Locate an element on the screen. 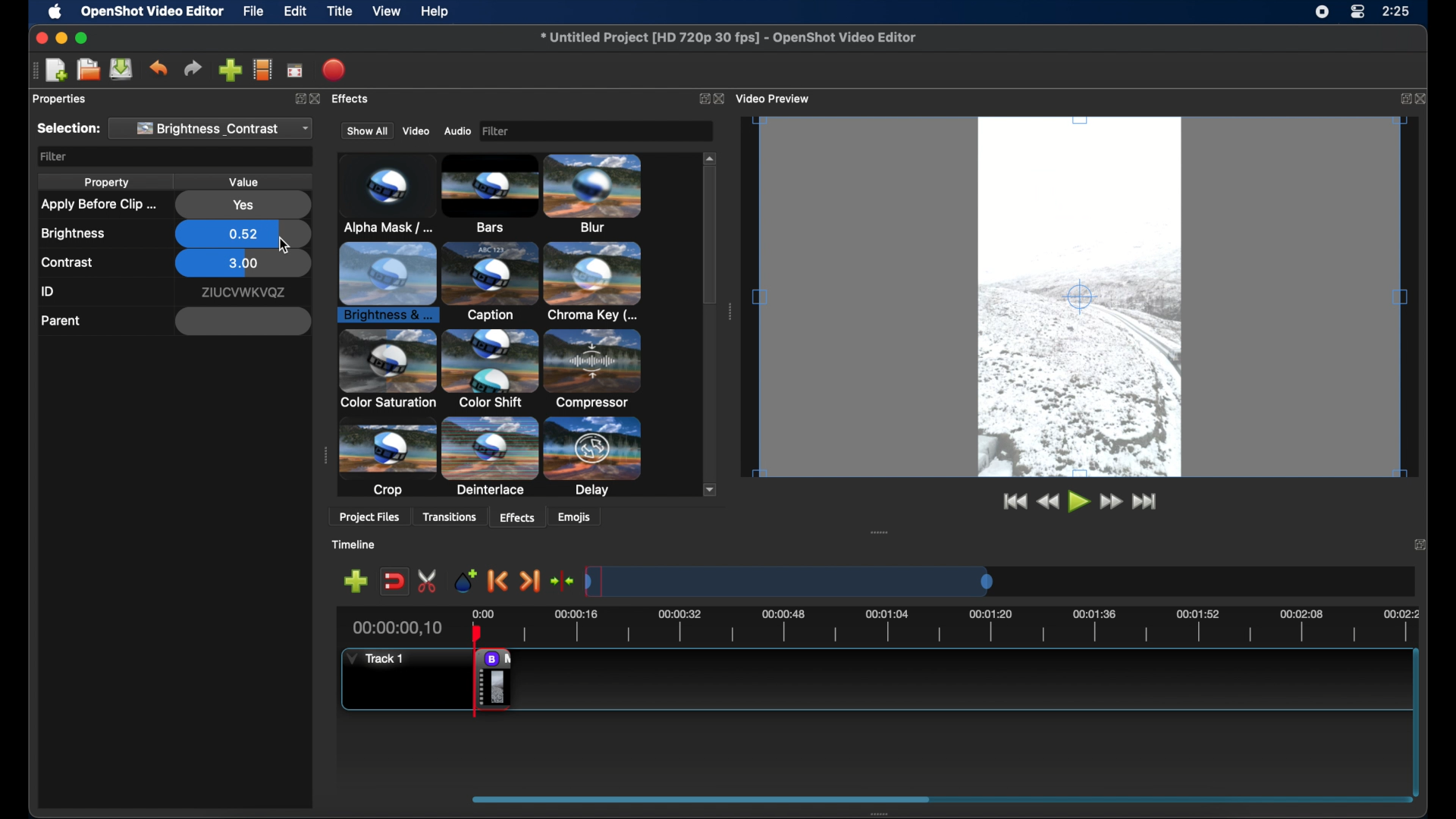  project files is located at coordinates (369, 517).